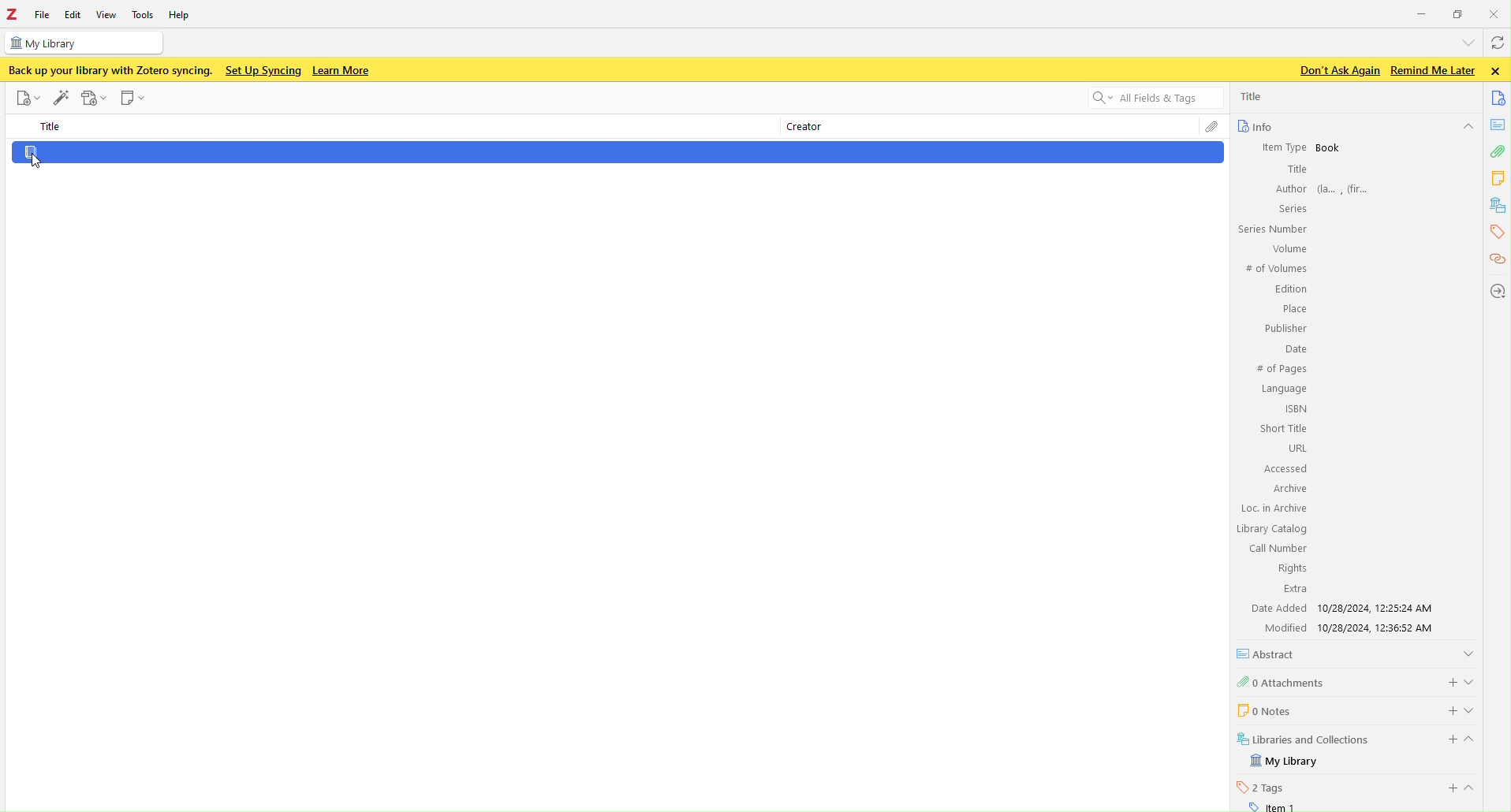  Describe the element at coordinates (134, 98) in the screenshot. I see `new note ` at that location.